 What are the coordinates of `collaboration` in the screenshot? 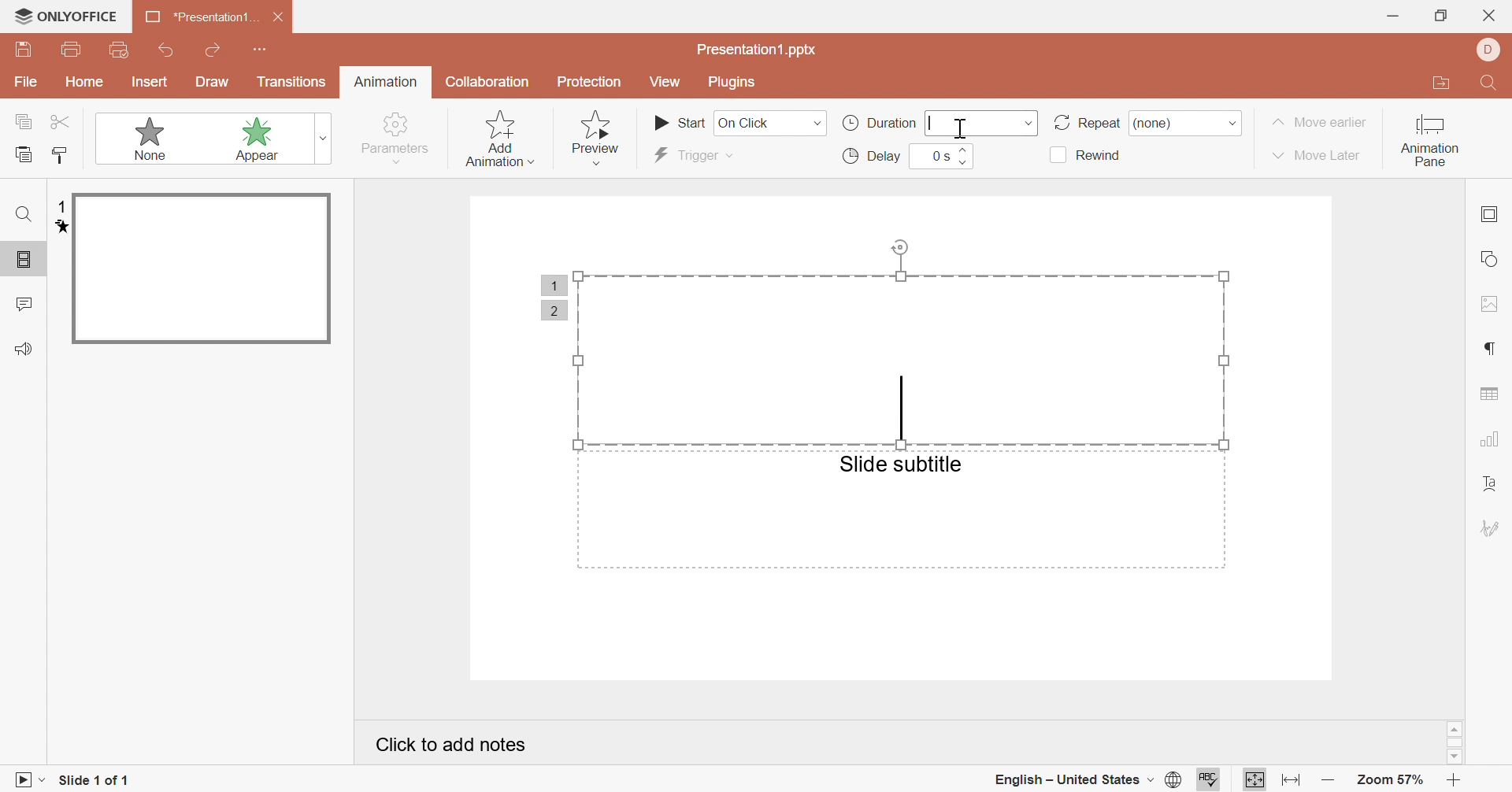 It's located at (489, 83).